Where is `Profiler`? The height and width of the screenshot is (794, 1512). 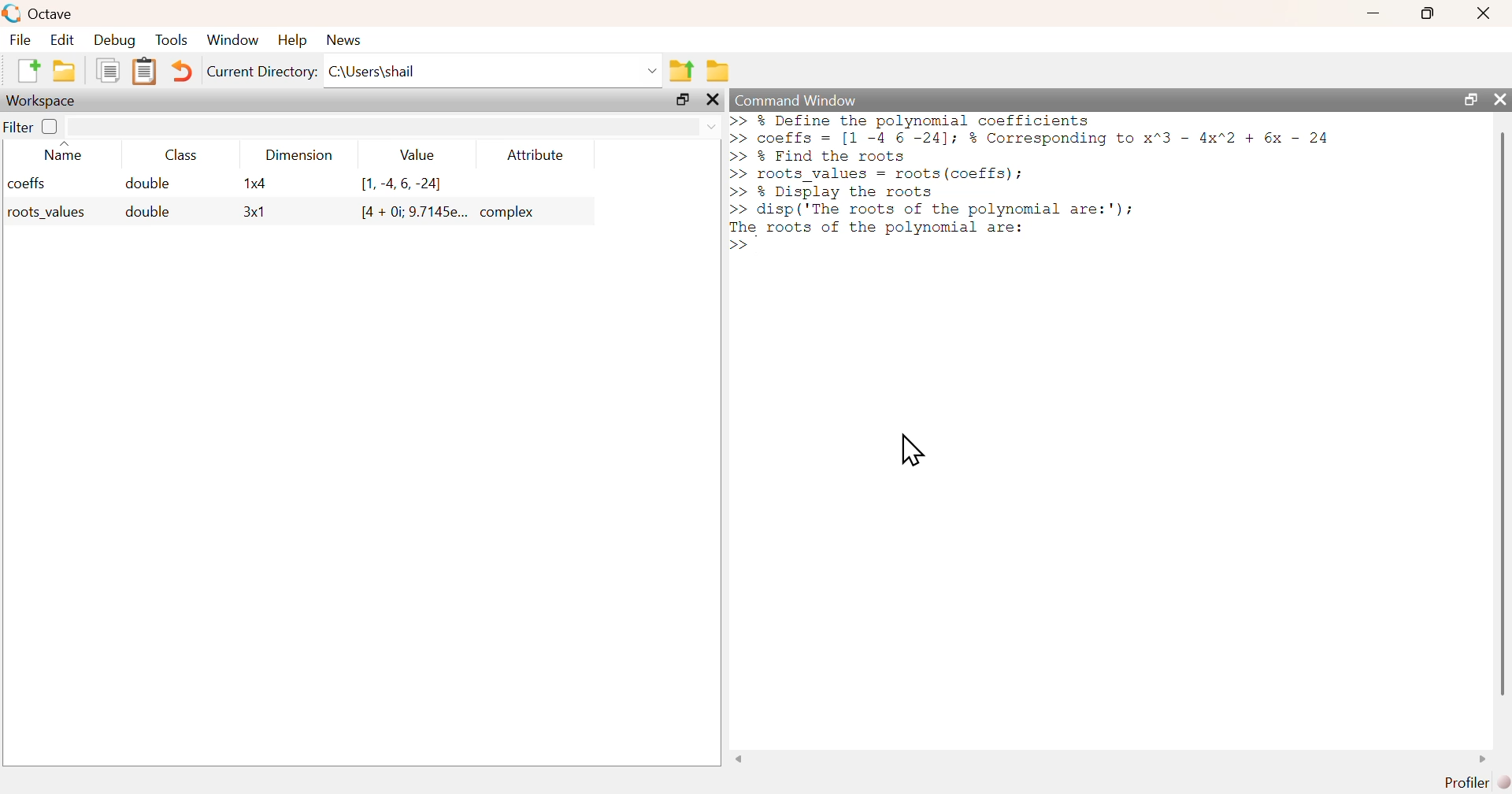 Profiler is located at coordinates (1473, 781).